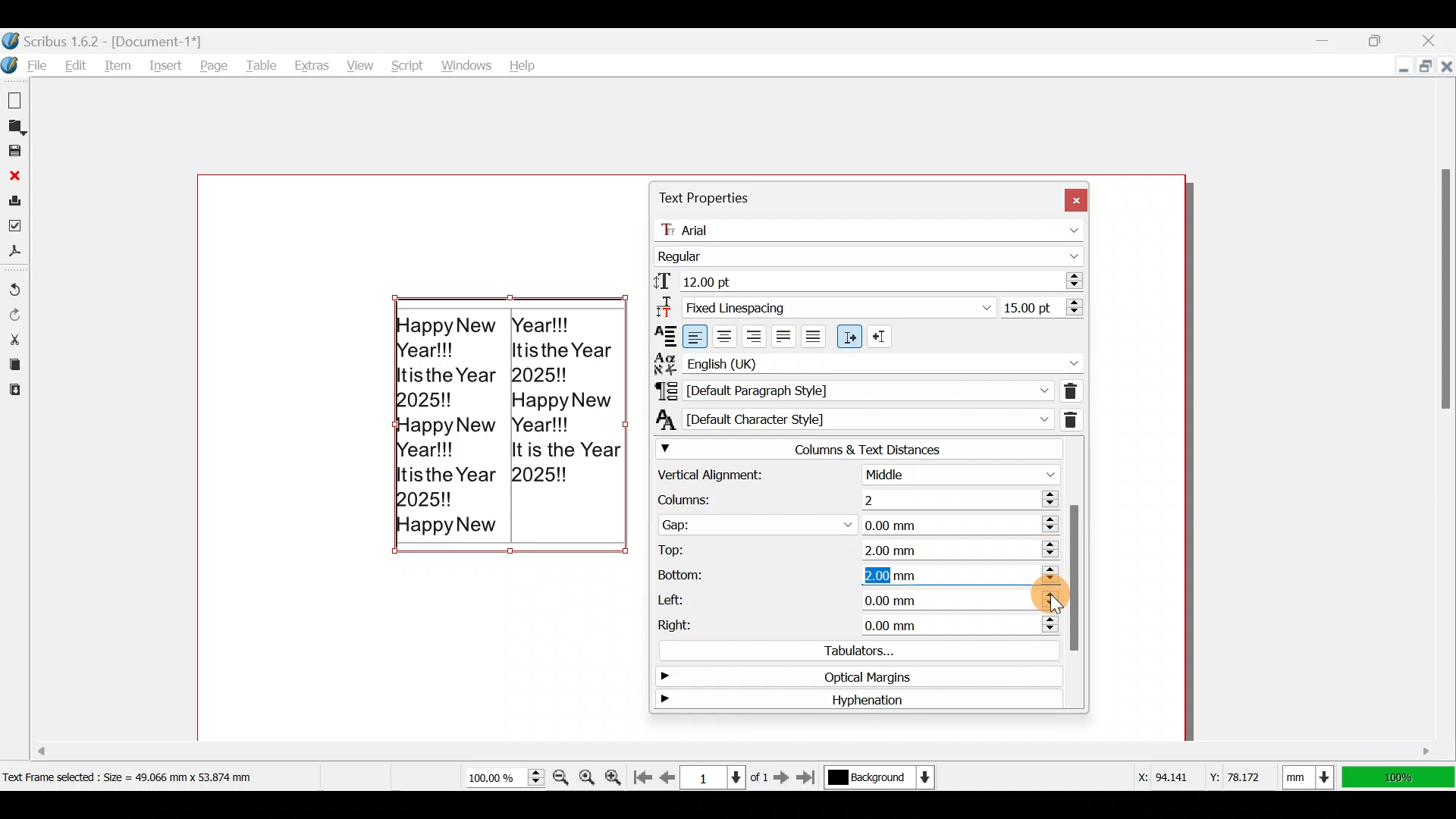  Describe the element at coordinates (149, 777) in the screenshot. I see `Dimension of selected text frame` at that location.